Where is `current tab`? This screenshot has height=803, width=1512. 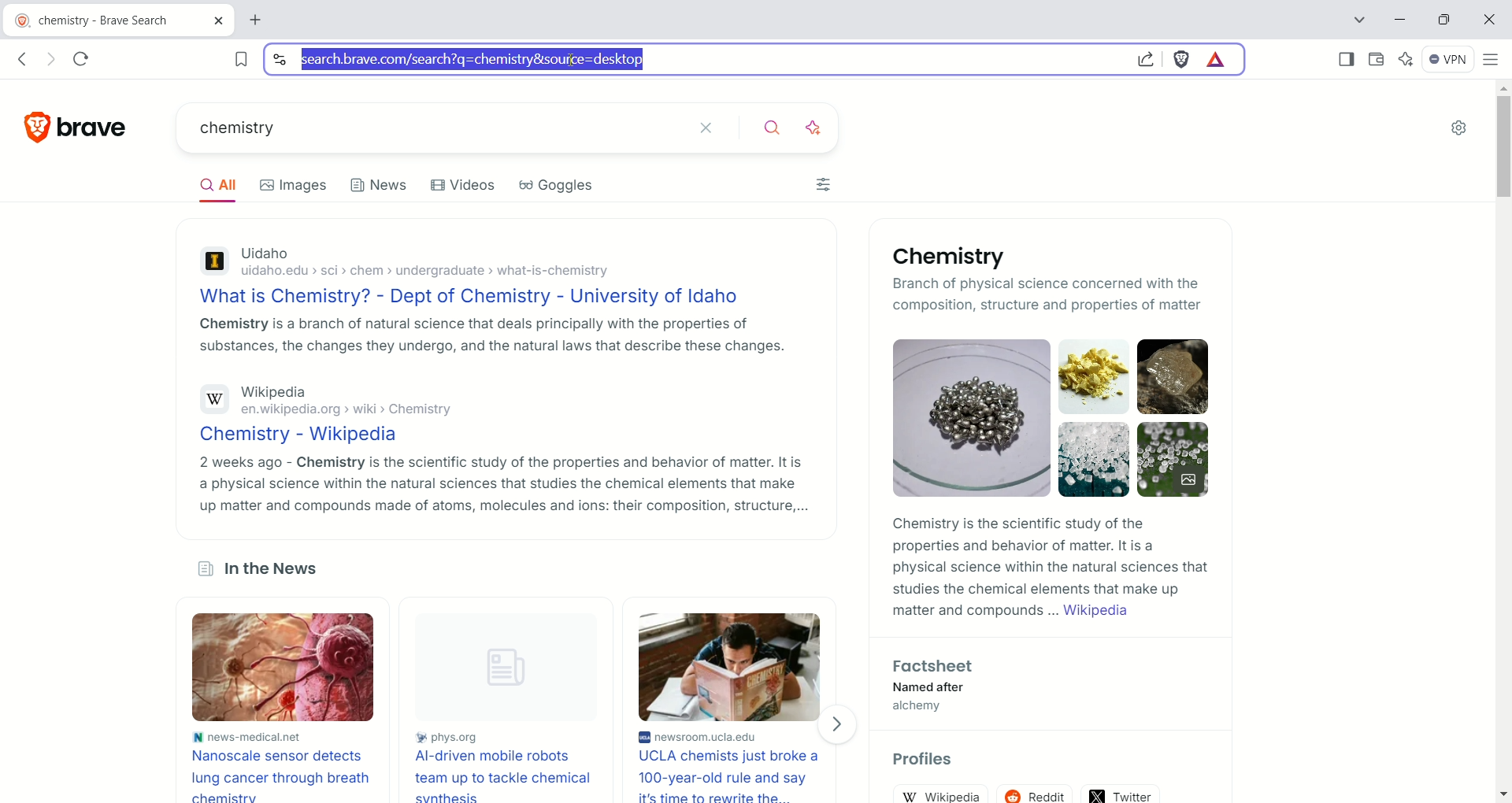 current tab is located at coordinates (119, 21).